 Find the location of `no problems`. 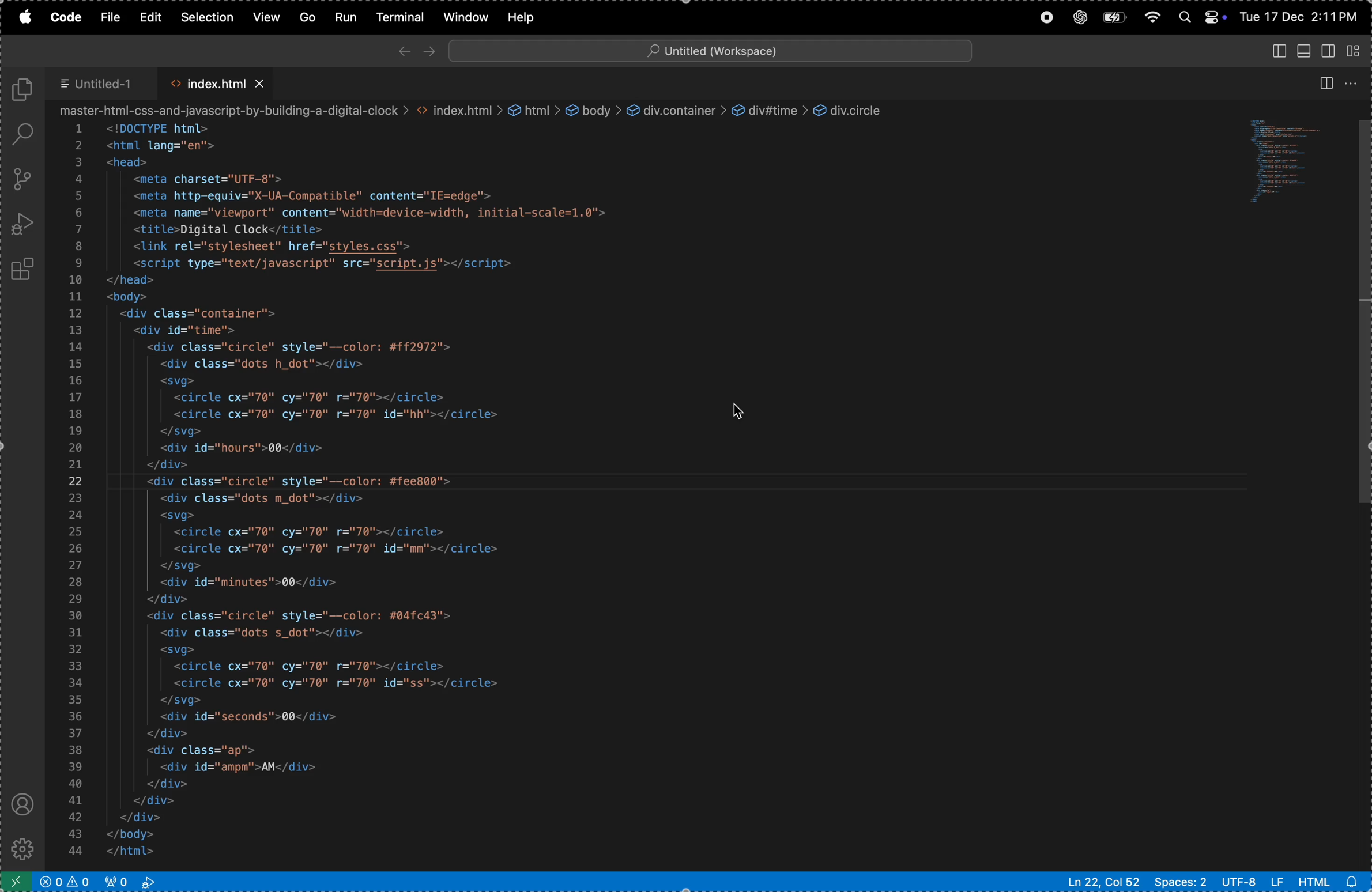

no problems is located at coordinates (68, 880).